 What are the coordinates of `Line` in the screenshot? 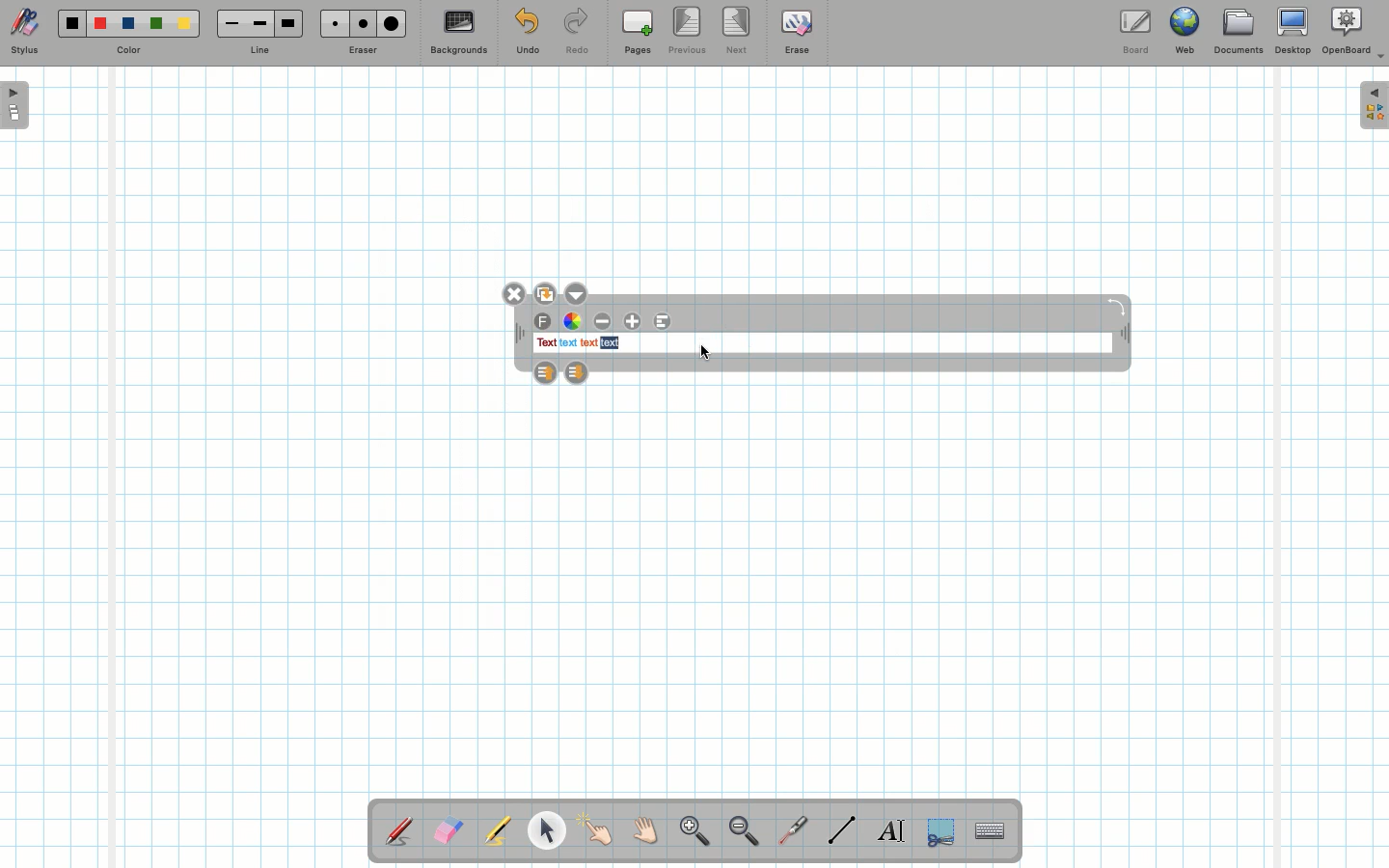 It's located at (842, 829).